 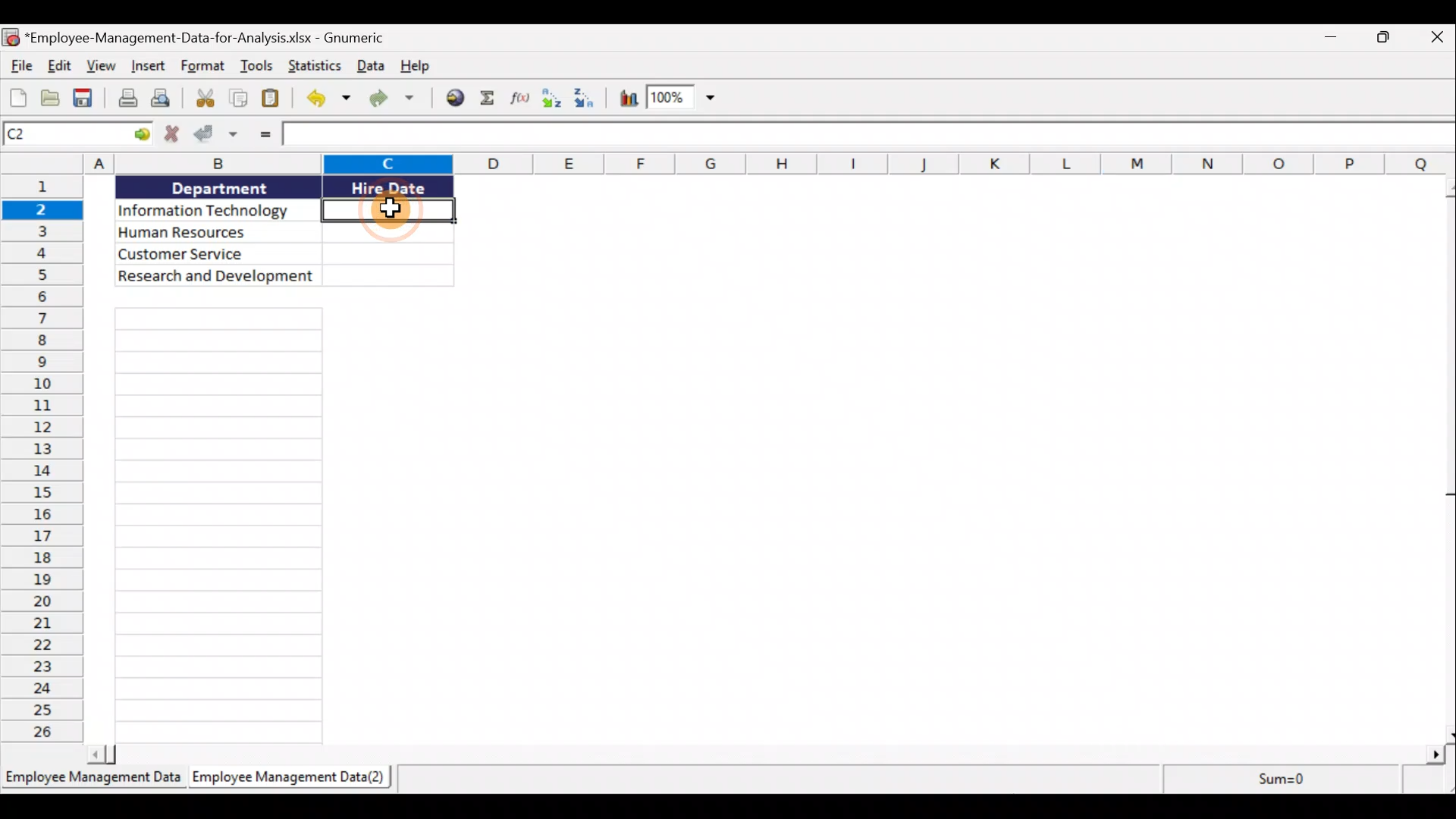 I want to click on Accept change, so click(x=216, y=137).